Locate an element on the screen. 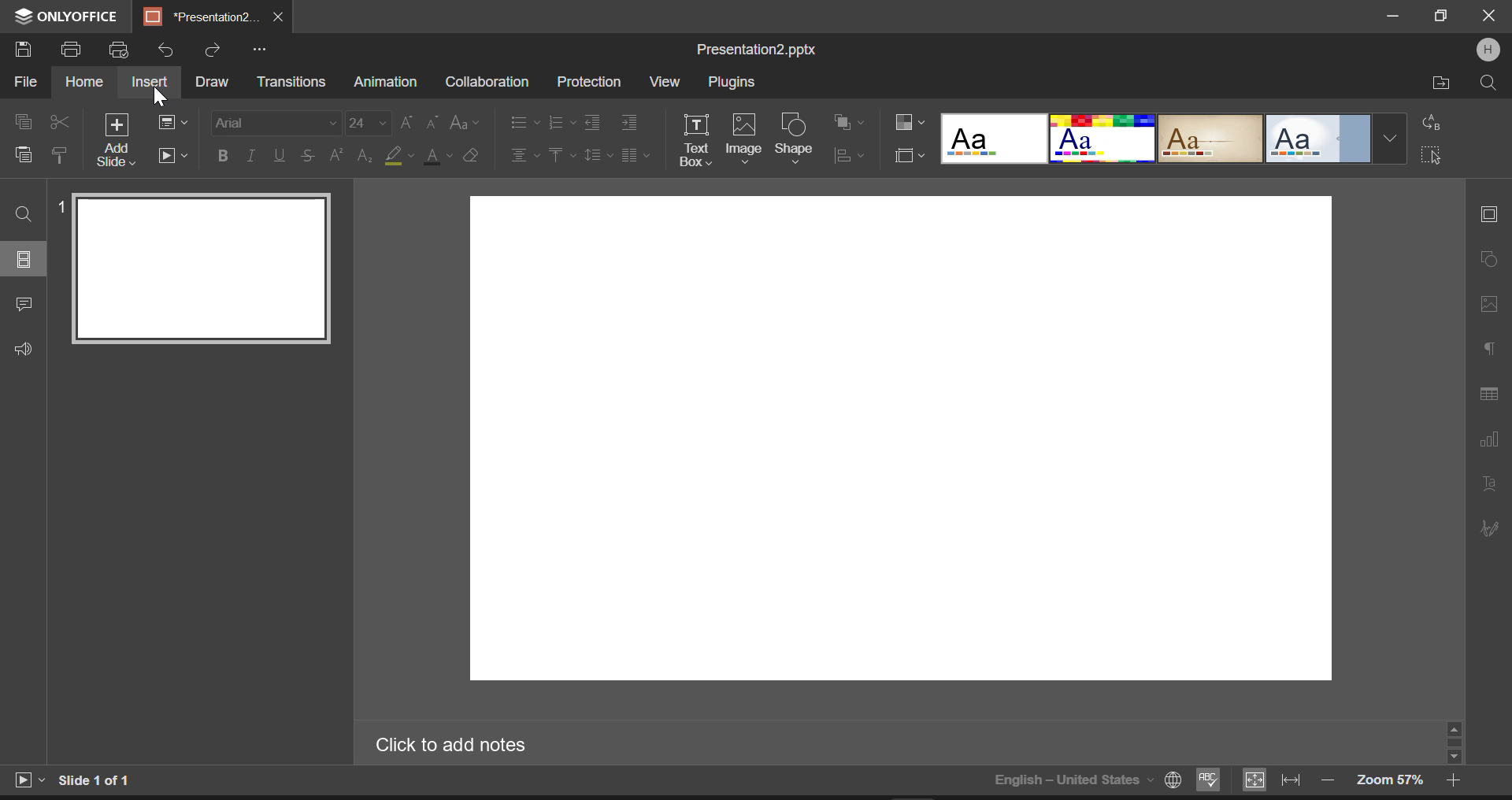 The width and height of the screenshot is (1512, 800). Find is located at coordinates (24, 213).